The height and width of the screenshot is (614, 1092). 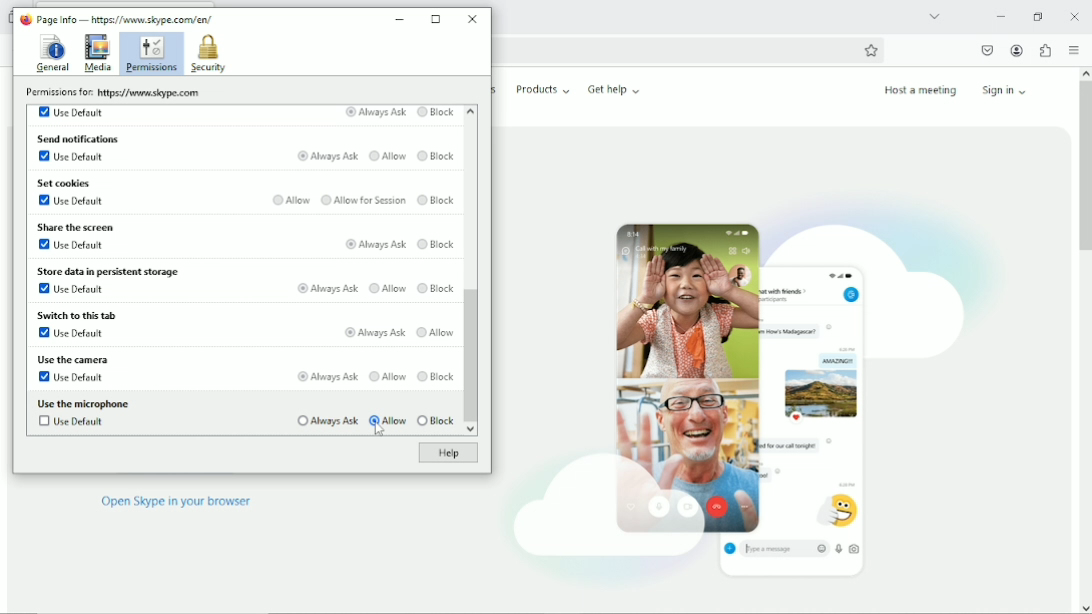 What do you see at coordinates (1037, 16) in the screenshot?
I see `Restore down` at bounding box center [1037, 16].